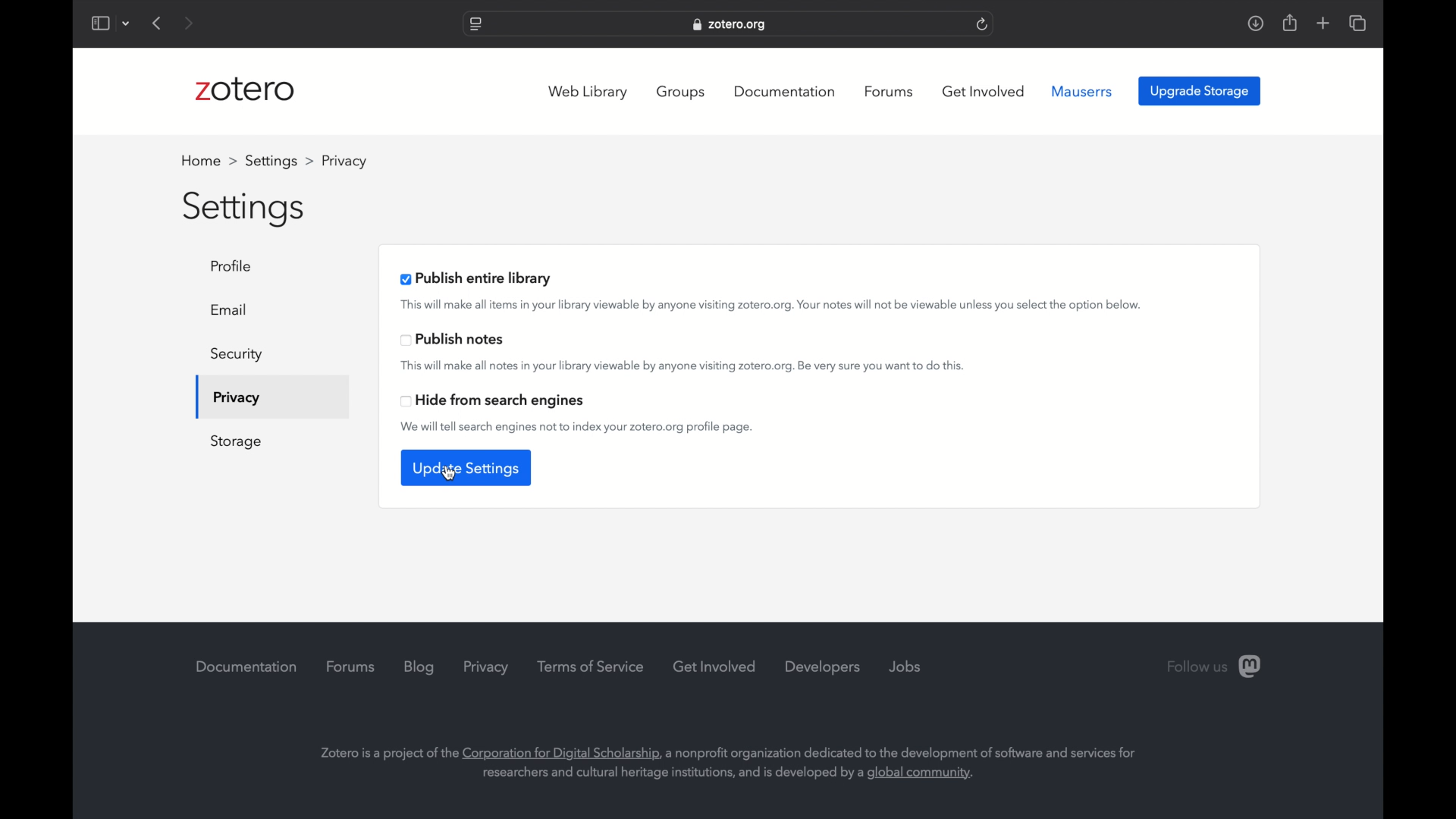 This screenshot has height=819, width=1456. I want to click on share, so click(1291, 22).